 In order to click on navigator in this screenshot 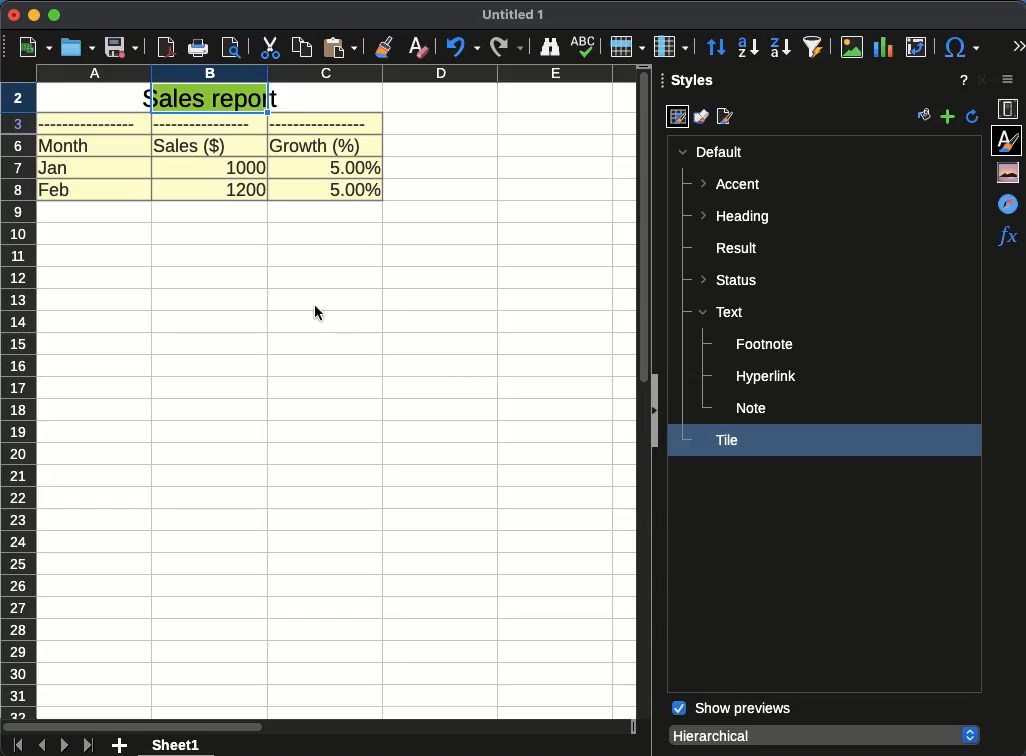, I will do `click(1011, 203)`.